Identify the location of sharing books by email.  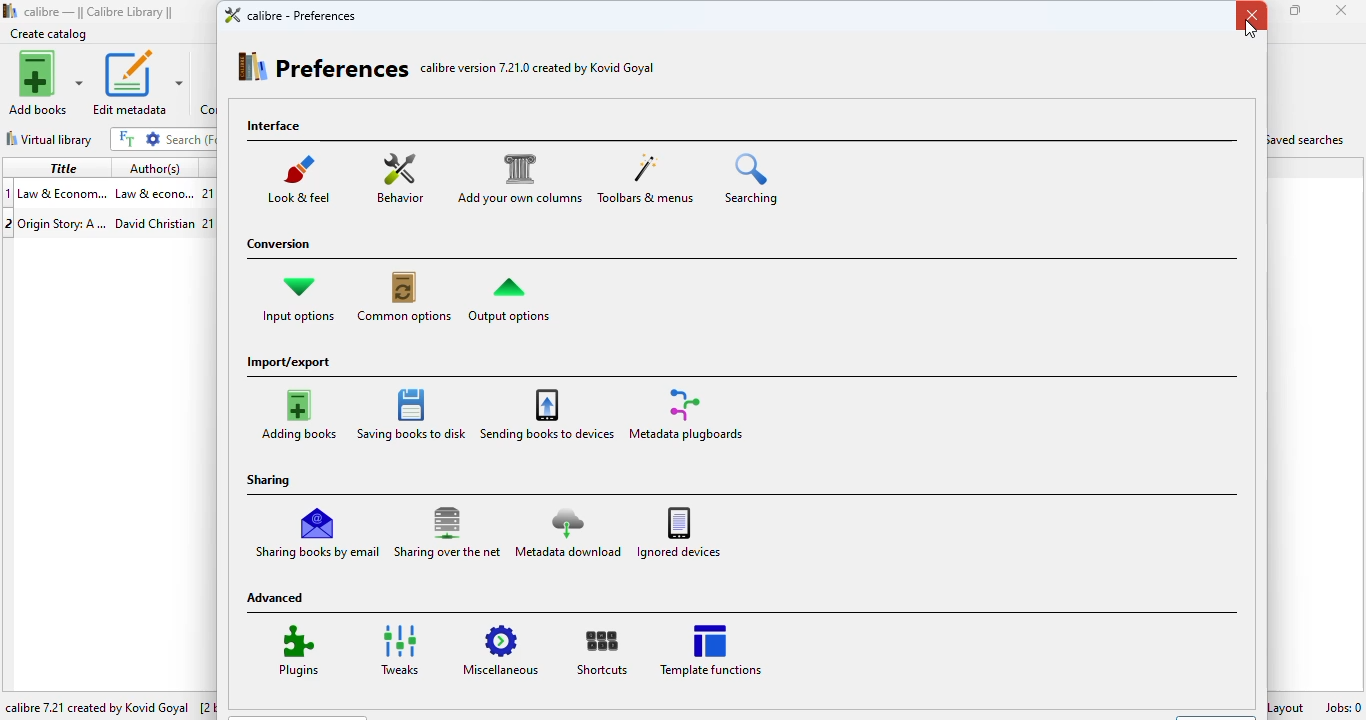
(319, 530).